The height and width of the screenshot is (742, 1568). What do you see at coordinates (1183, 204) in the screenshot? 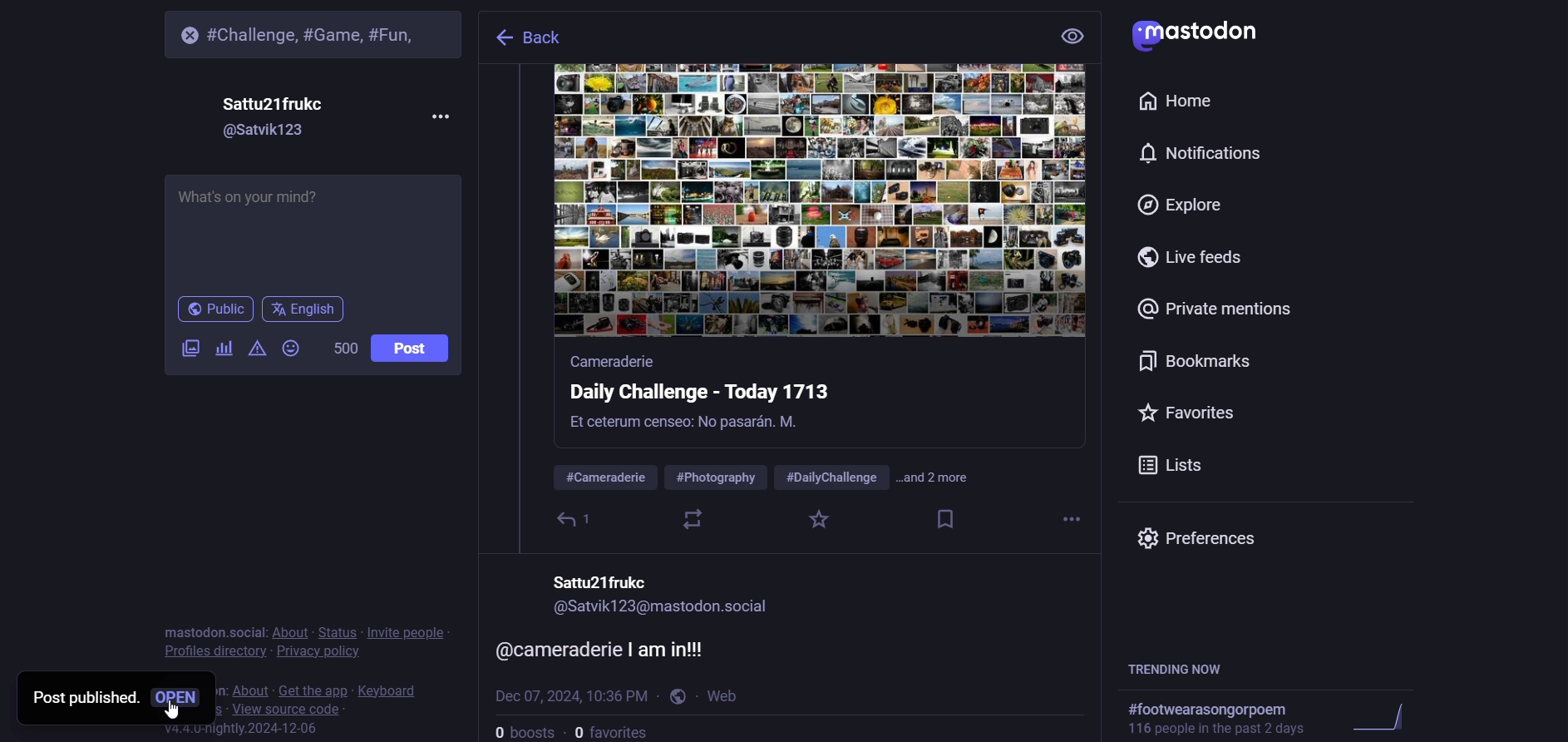
I see `explore` at bounding box center [1183, 204].